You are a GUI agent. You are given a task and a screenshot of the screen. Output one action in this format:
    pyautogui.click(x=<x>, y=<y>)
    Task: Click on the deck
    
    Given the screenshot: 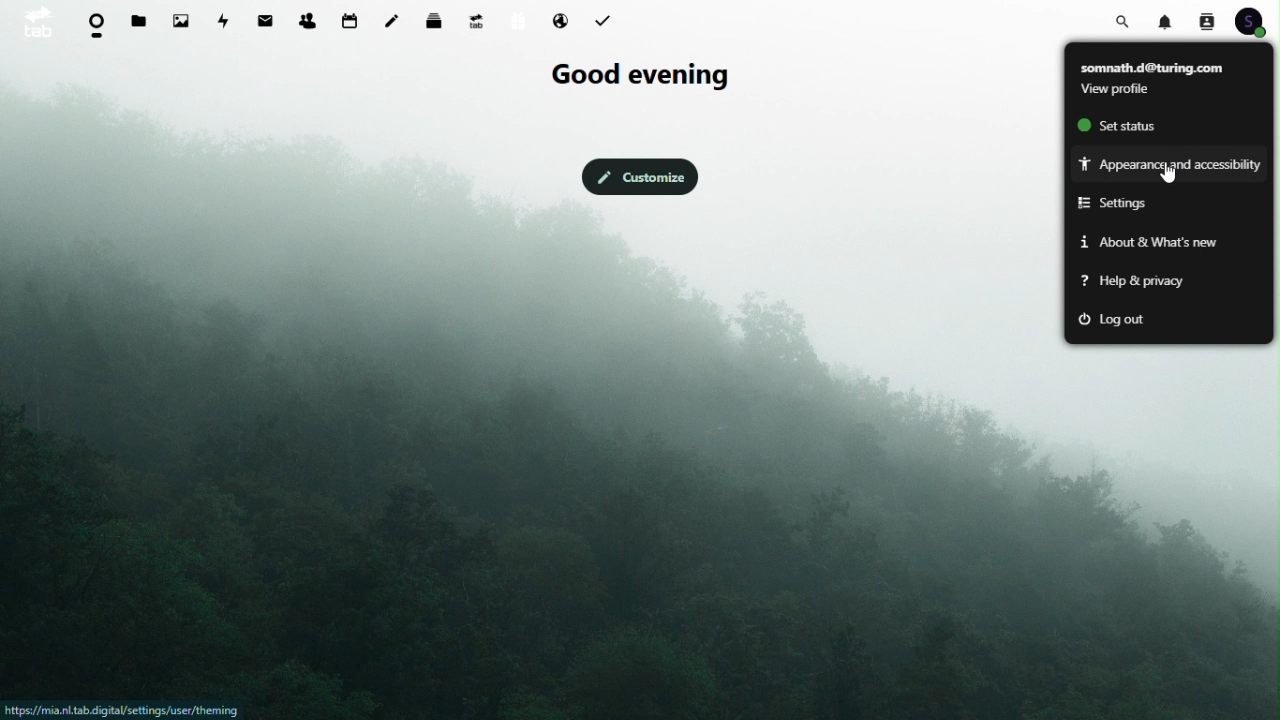 What is the action you would take?
    pyautogui.click(x=438, y=19)
    